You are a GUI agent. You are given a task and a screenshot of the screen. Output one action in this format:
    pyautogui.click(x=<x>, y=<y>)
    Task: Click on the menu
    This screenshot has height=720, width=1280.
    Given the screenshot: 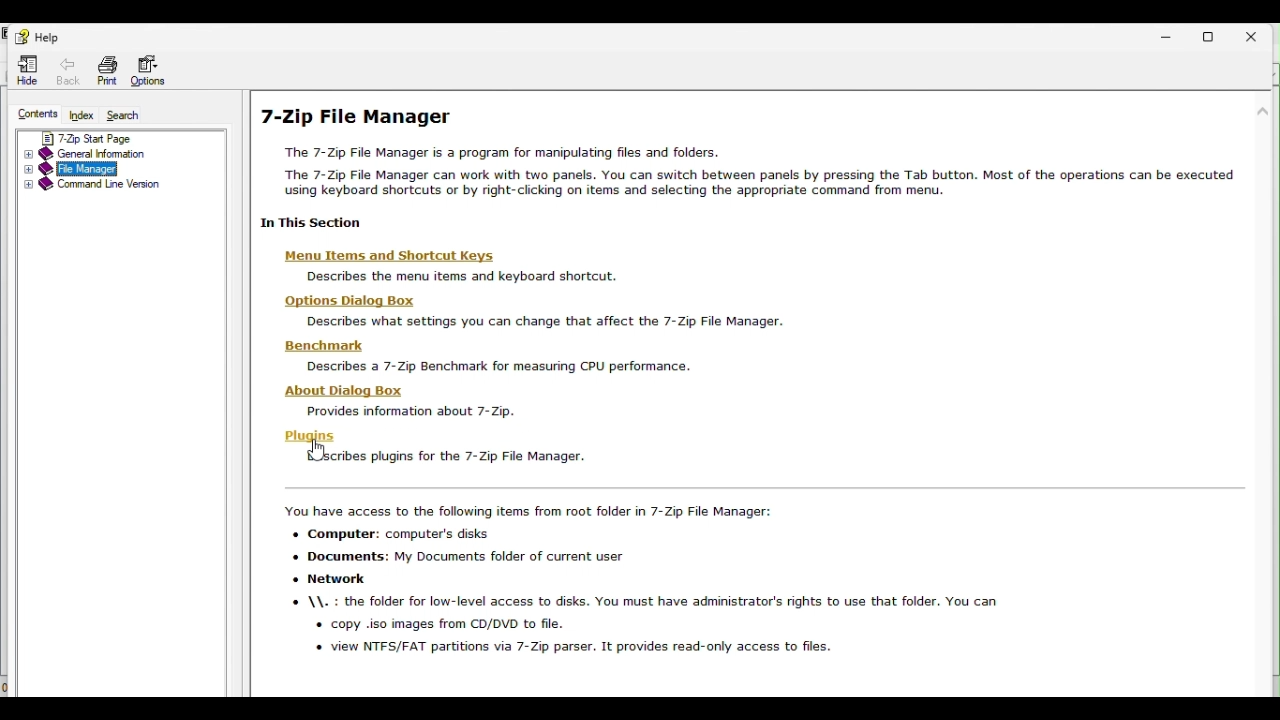 What is the action you would take?
    pyautogui.click(x=388, y=255)
    